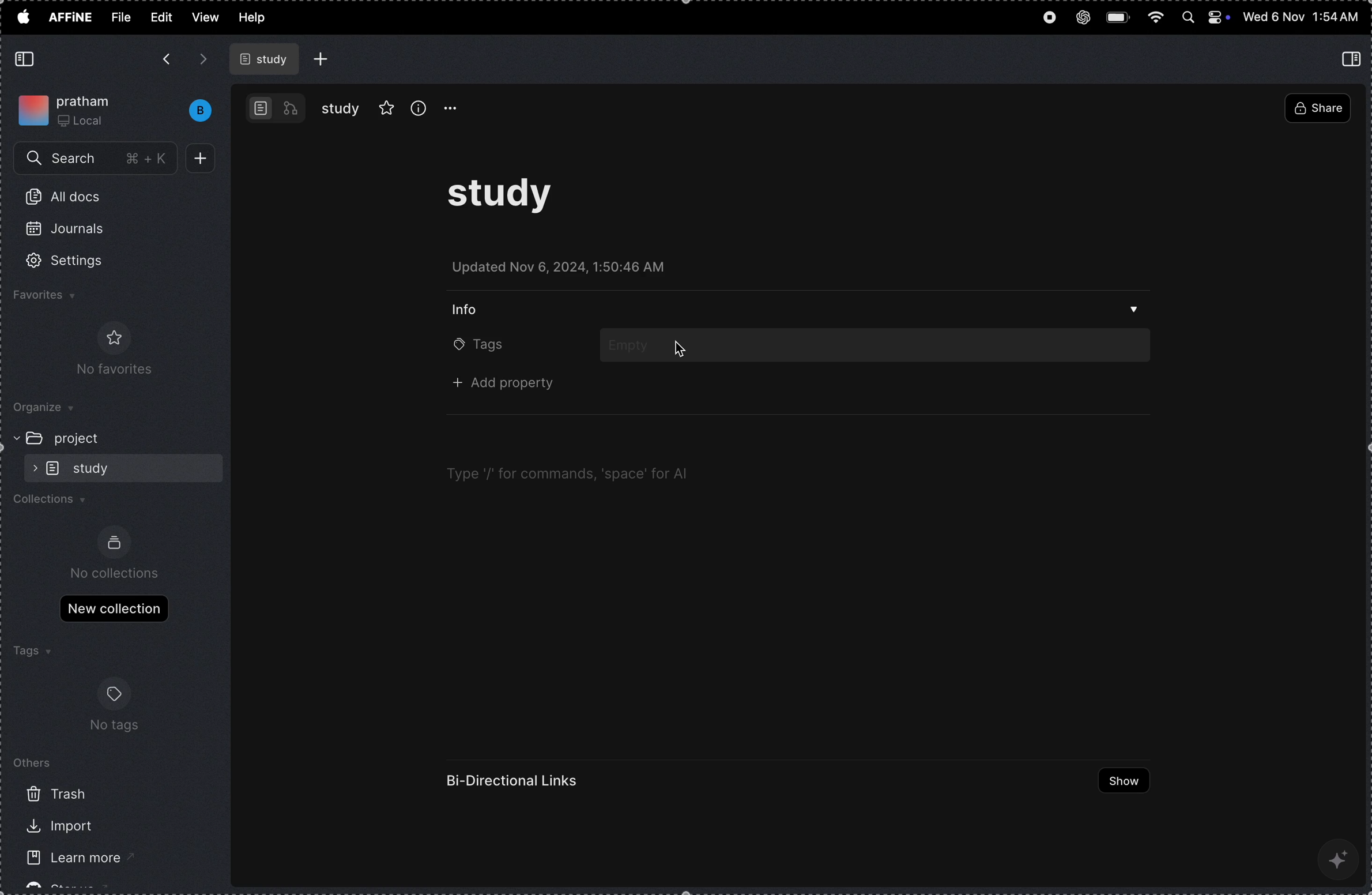 The width and height of the screenshot is (1372, 895). Describe the element at coordinates (1317, 110) in the screenshot. I see `share` at that location.